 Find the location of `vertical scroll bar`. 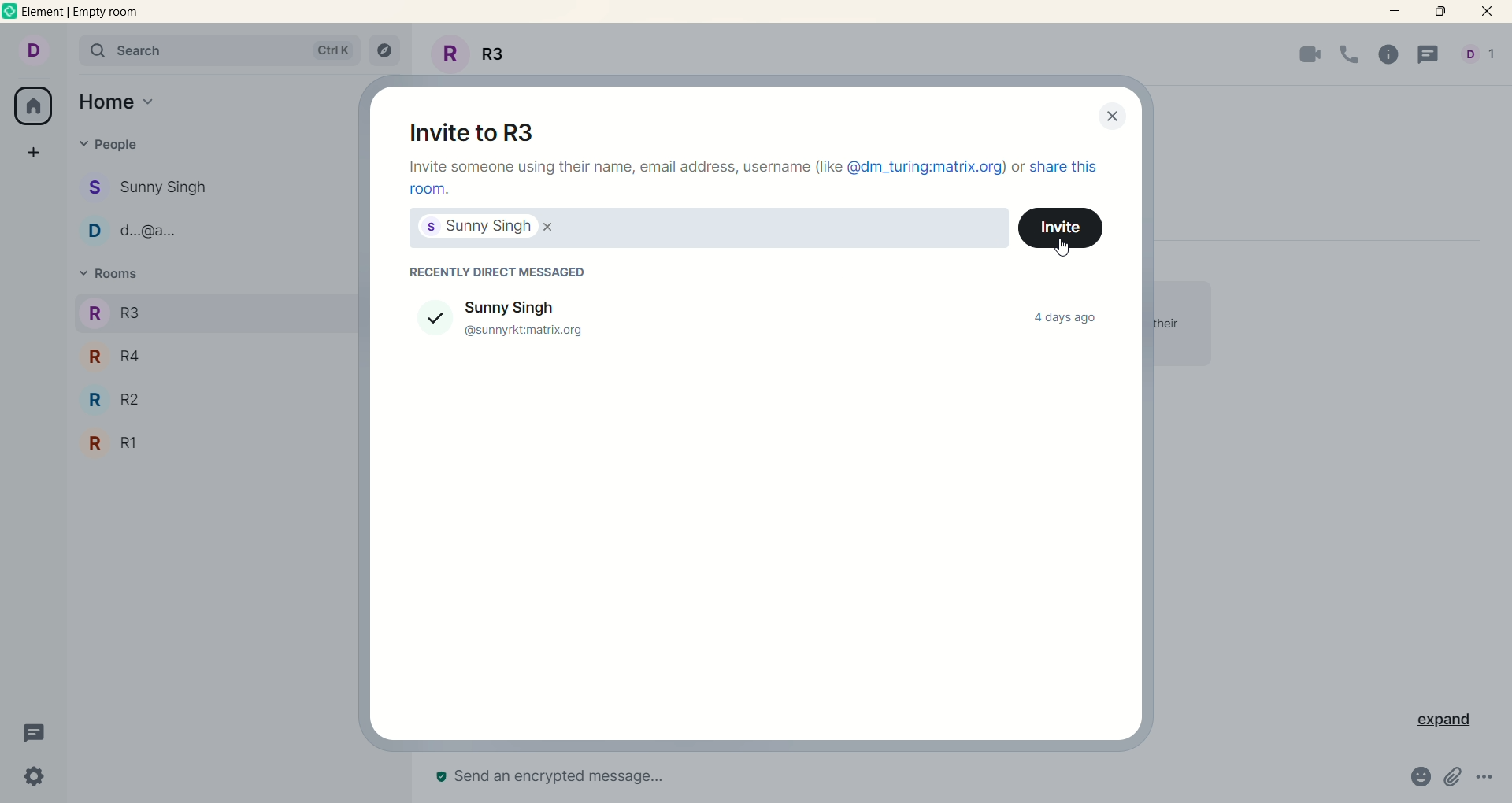

vertical scroll bar is located at coordinates (1503, 416).